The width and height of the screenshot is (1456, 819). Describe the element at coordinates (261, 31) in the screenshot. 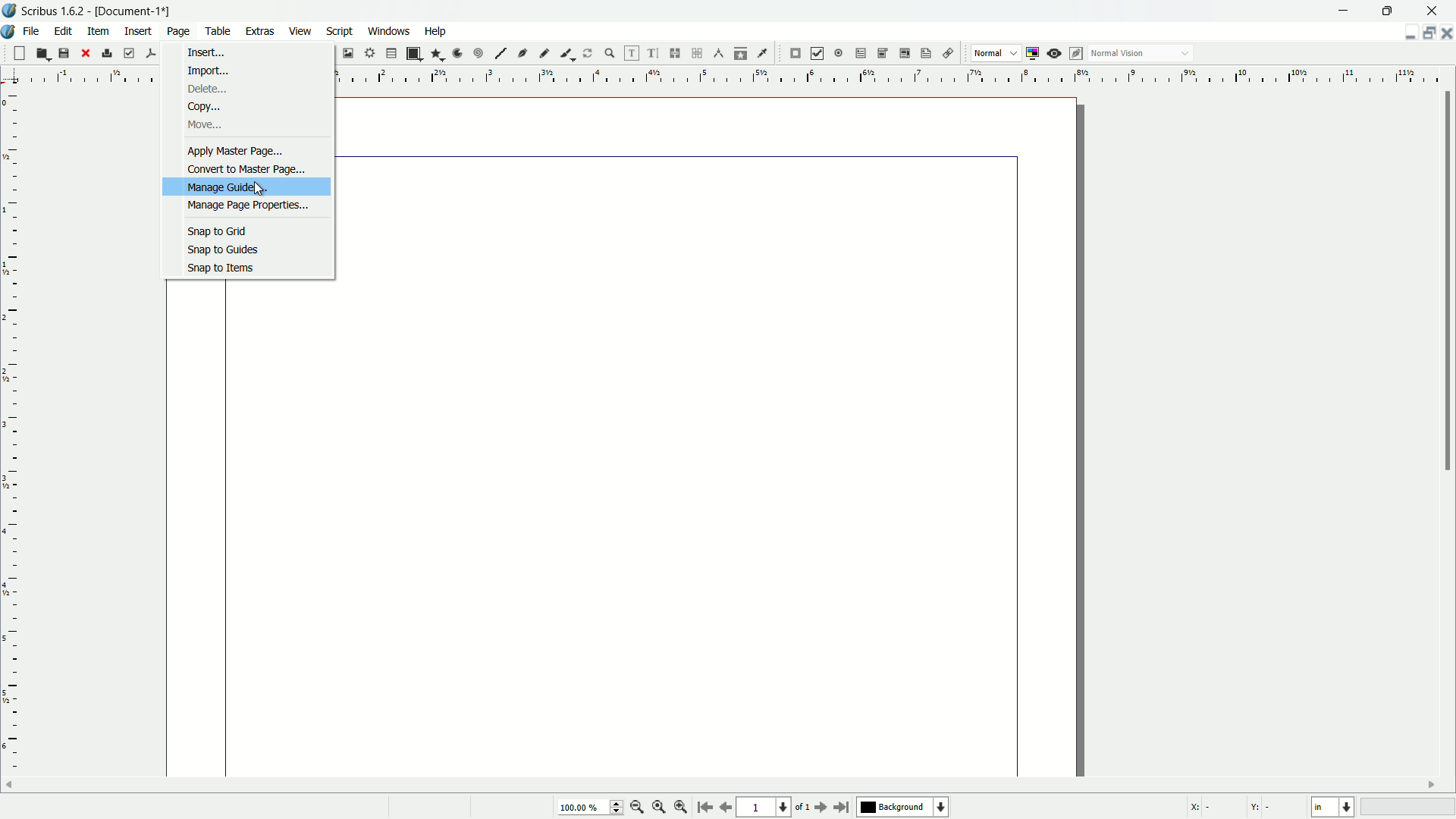

I see `extras menu` at that location.